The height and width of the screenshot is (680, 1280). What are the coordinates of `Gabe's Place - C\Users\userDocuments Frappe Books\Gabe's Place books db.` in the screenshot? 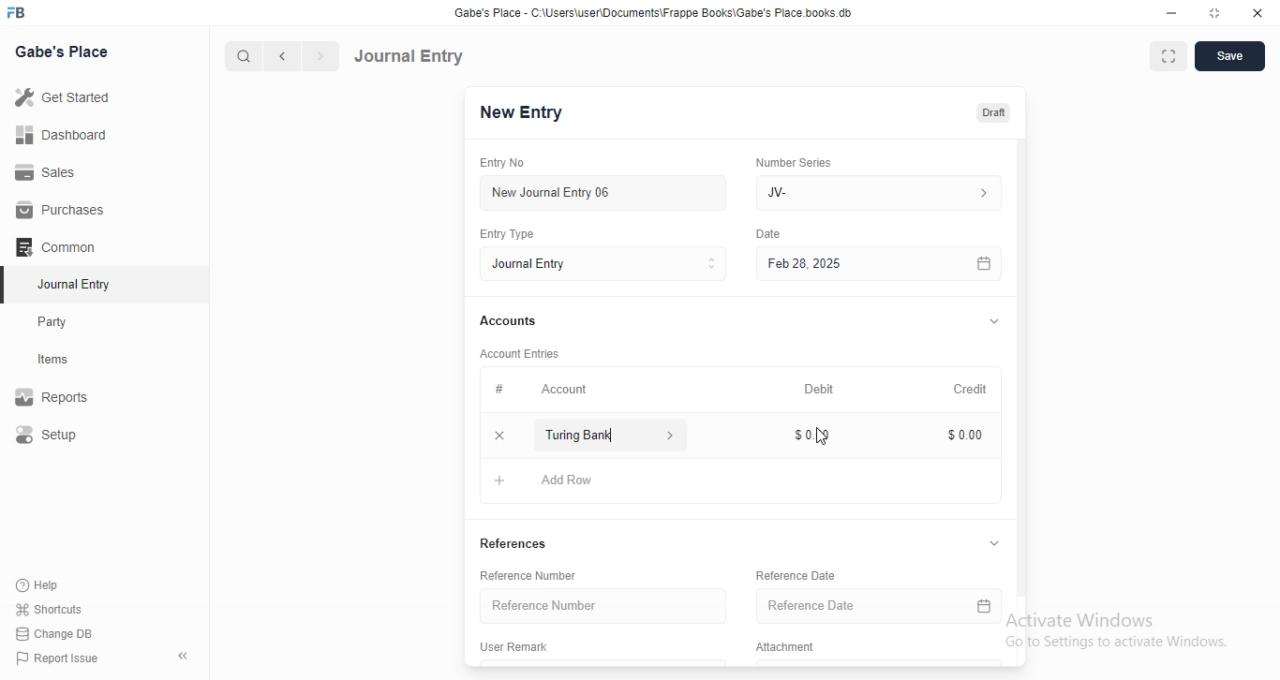 It's located at (654, 13).